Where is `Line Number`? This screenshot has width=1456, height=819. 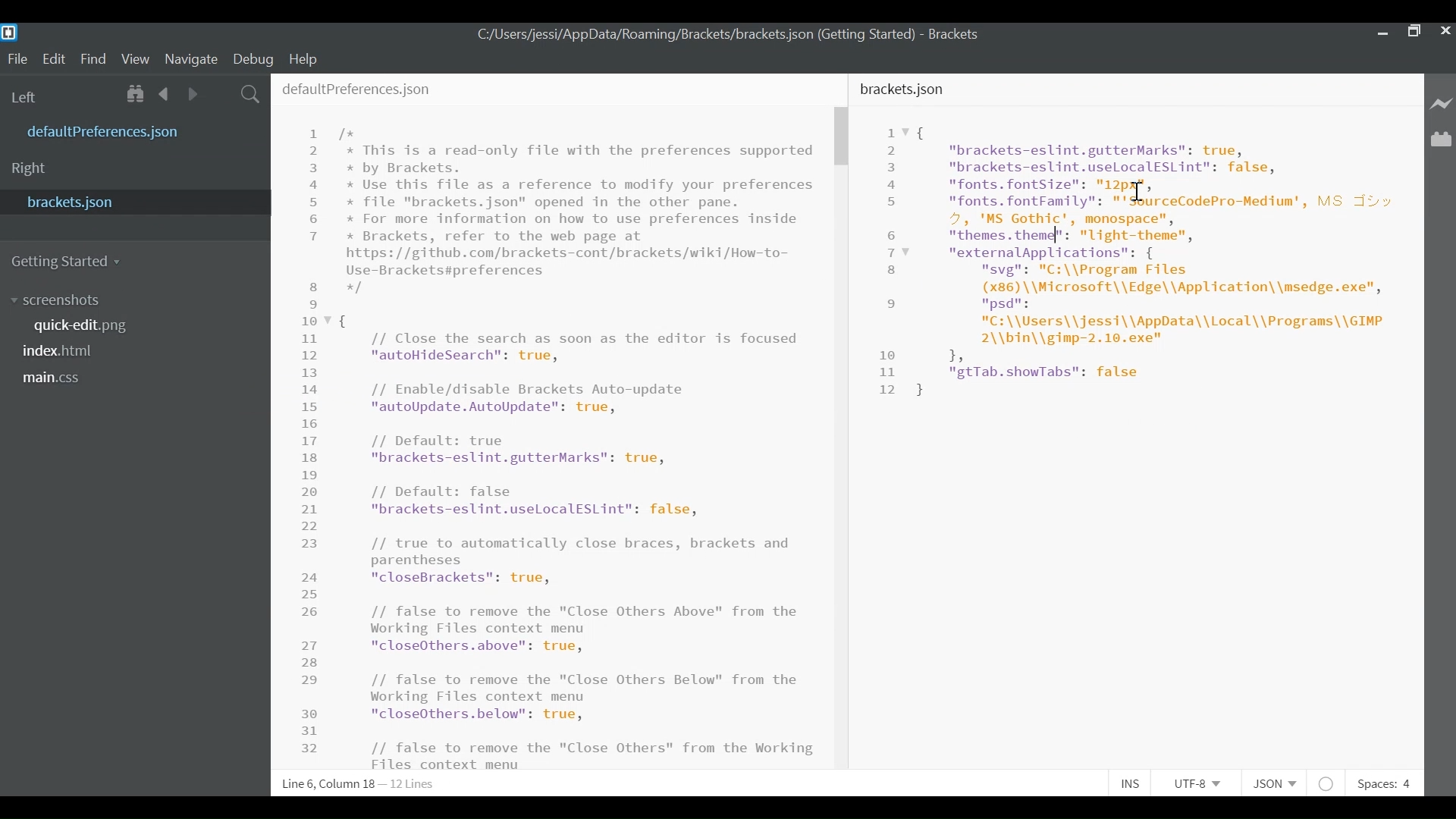
Line Number is located at coordinates (894, 261).